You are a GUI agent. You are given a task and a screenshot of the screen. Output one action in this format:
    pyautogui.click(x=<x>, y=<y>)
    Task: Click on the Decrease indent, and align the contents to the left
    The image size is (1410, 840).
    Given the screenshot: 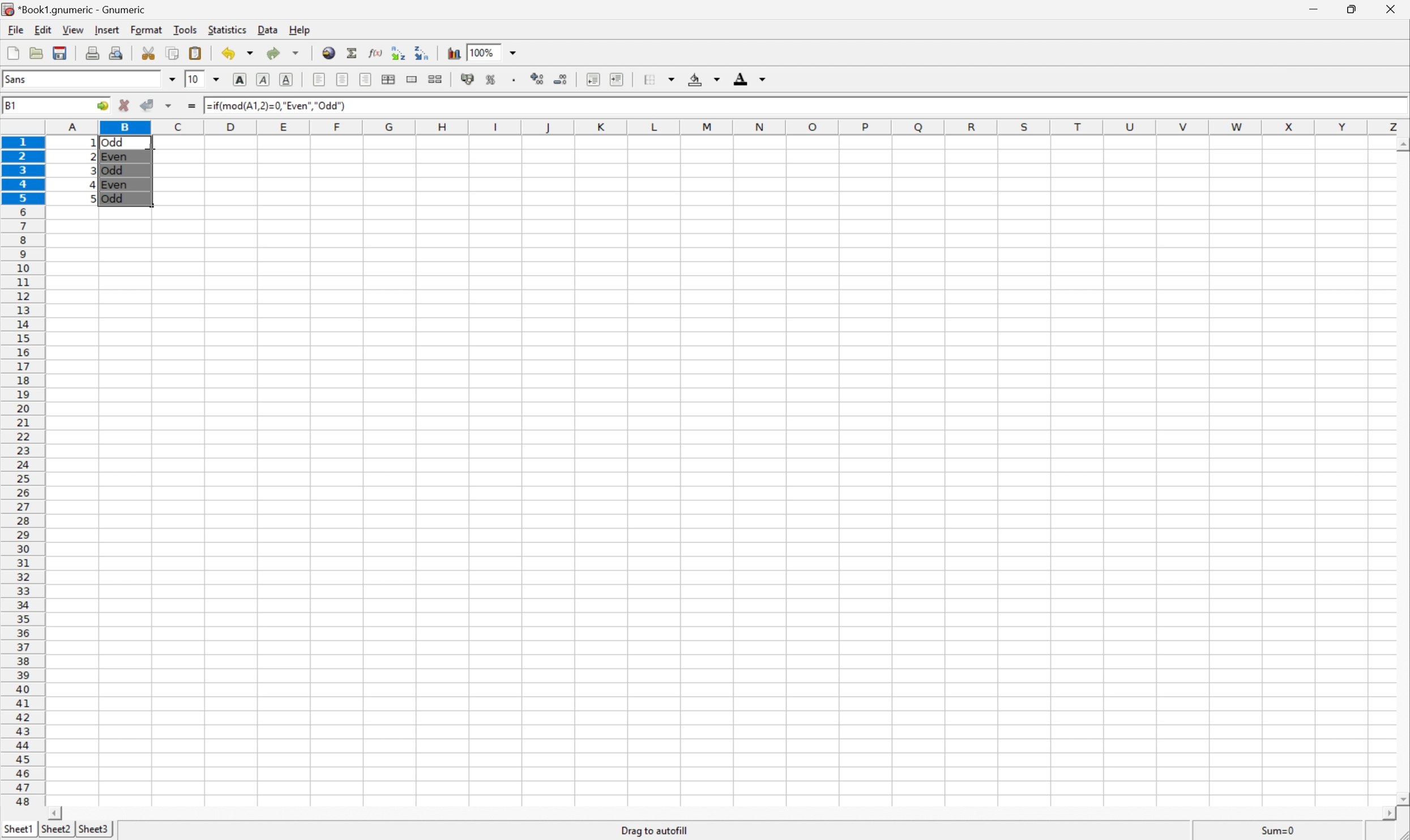 What is the action you would take?
    pyautogui.click(x=593, y=77)
    